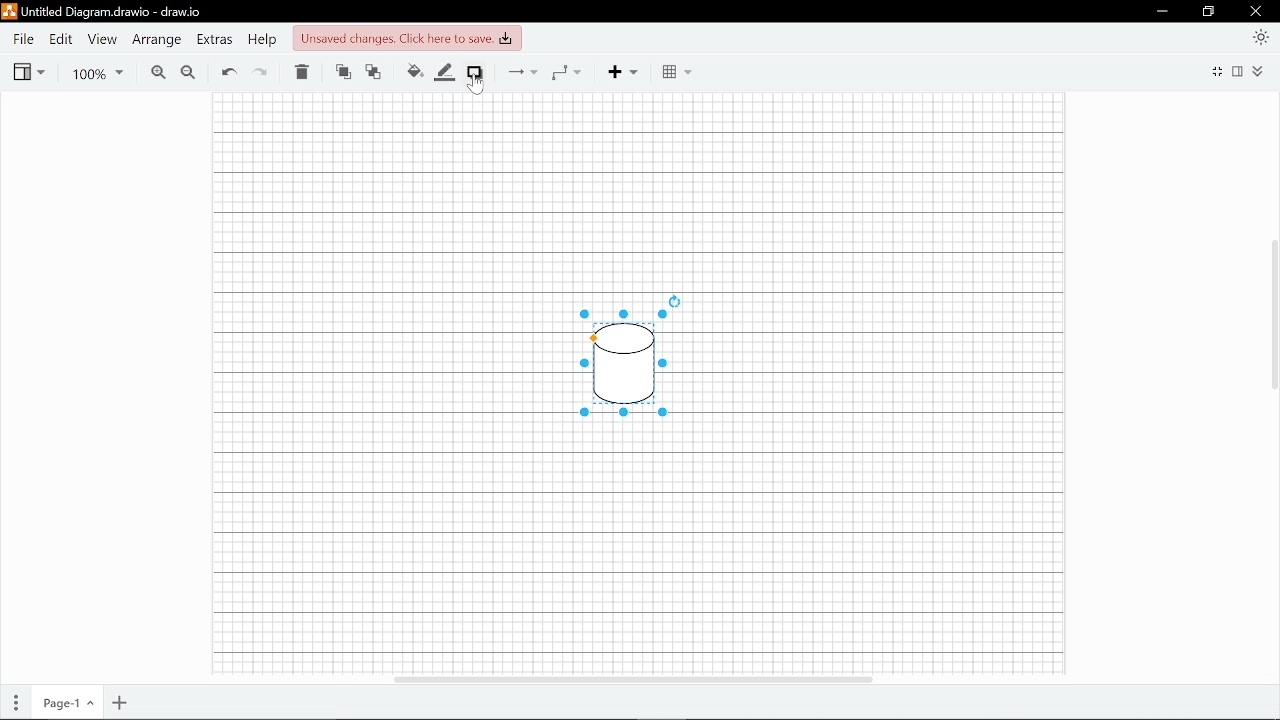  I want to click on Zoom in, so click(158, 72).